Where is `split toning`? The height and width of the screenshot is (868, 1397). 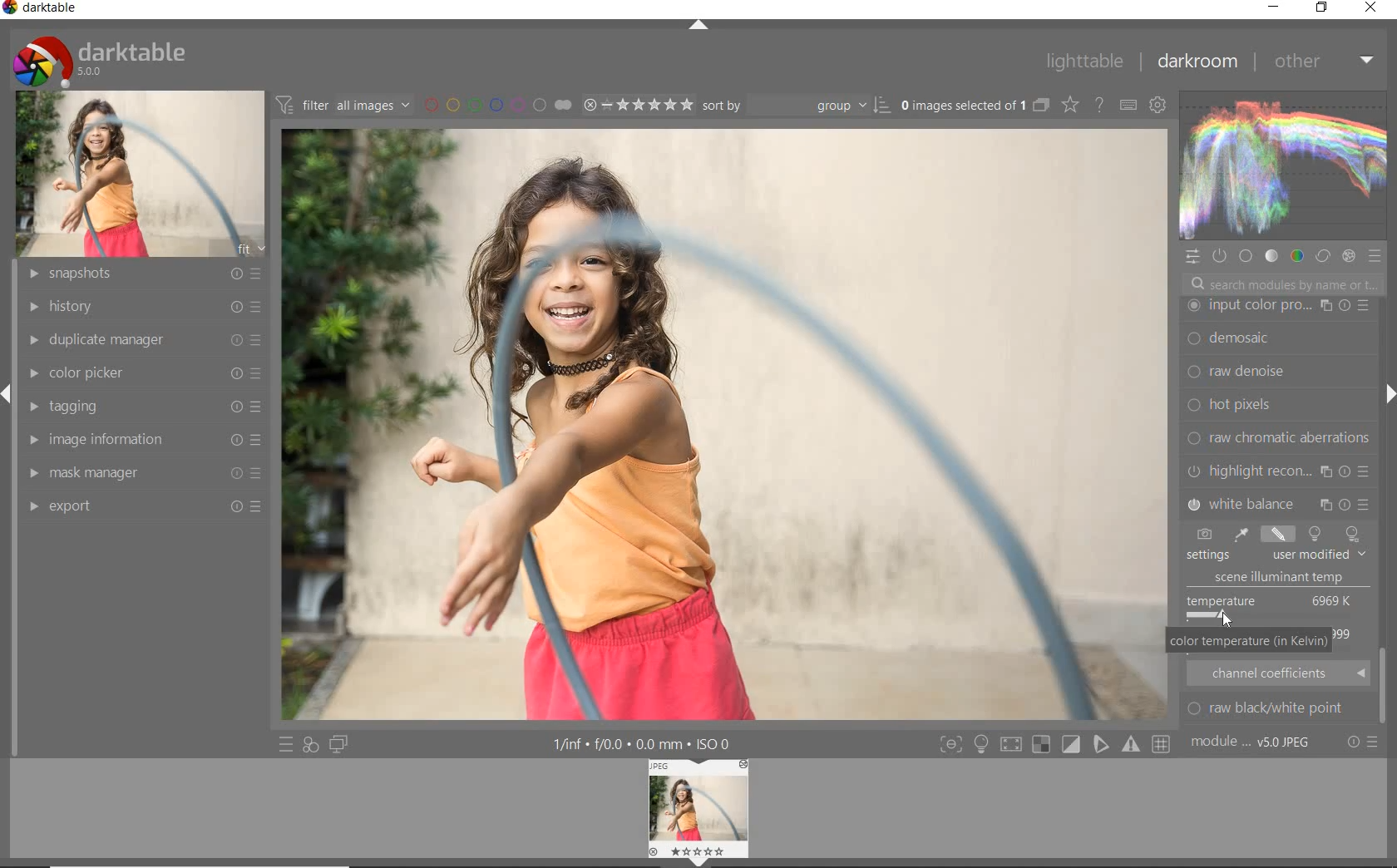
split toning is located at coordinates (1279, 502).